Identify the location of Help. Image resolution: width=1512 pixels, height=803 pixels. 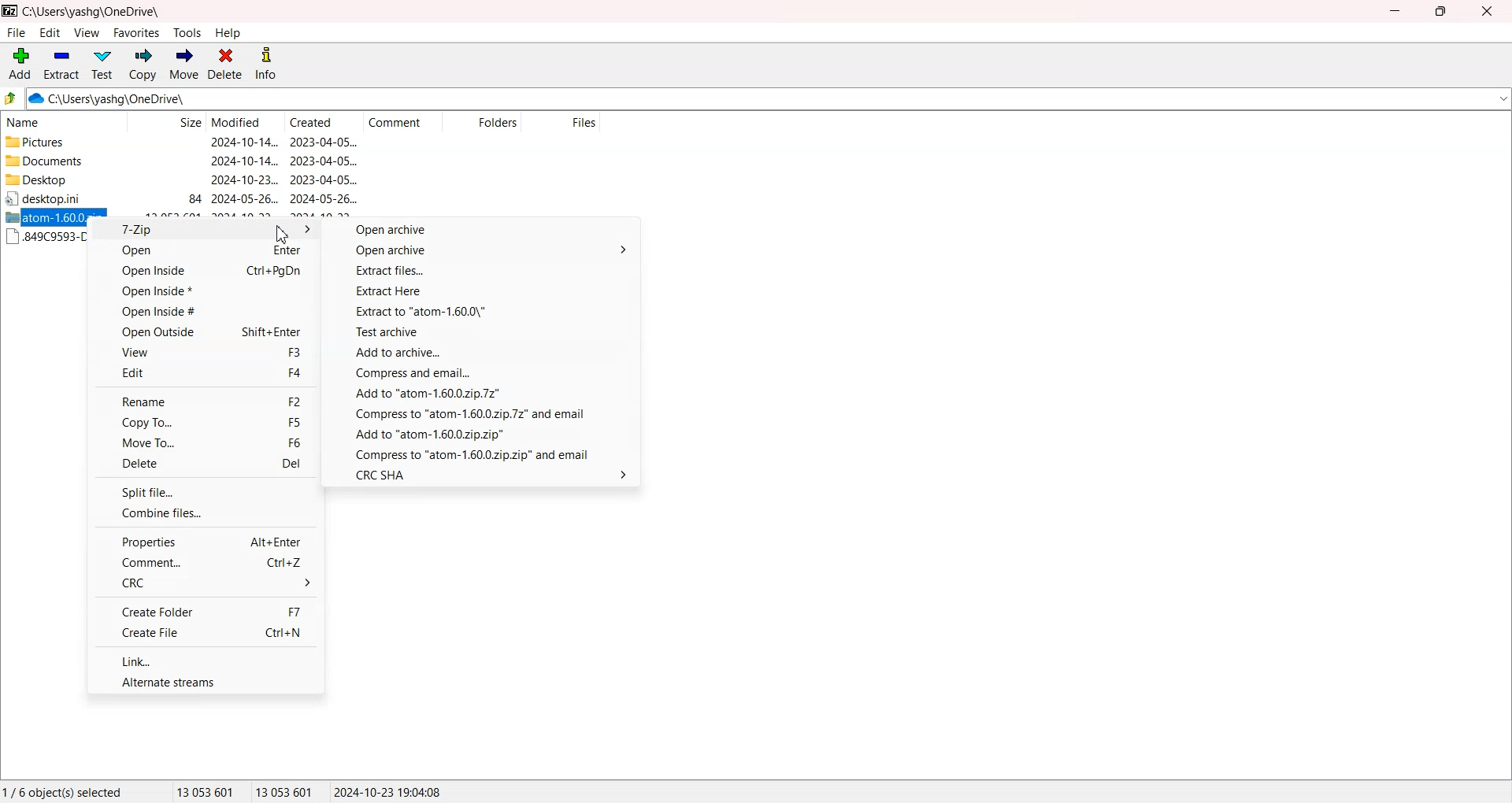
(228, 33).